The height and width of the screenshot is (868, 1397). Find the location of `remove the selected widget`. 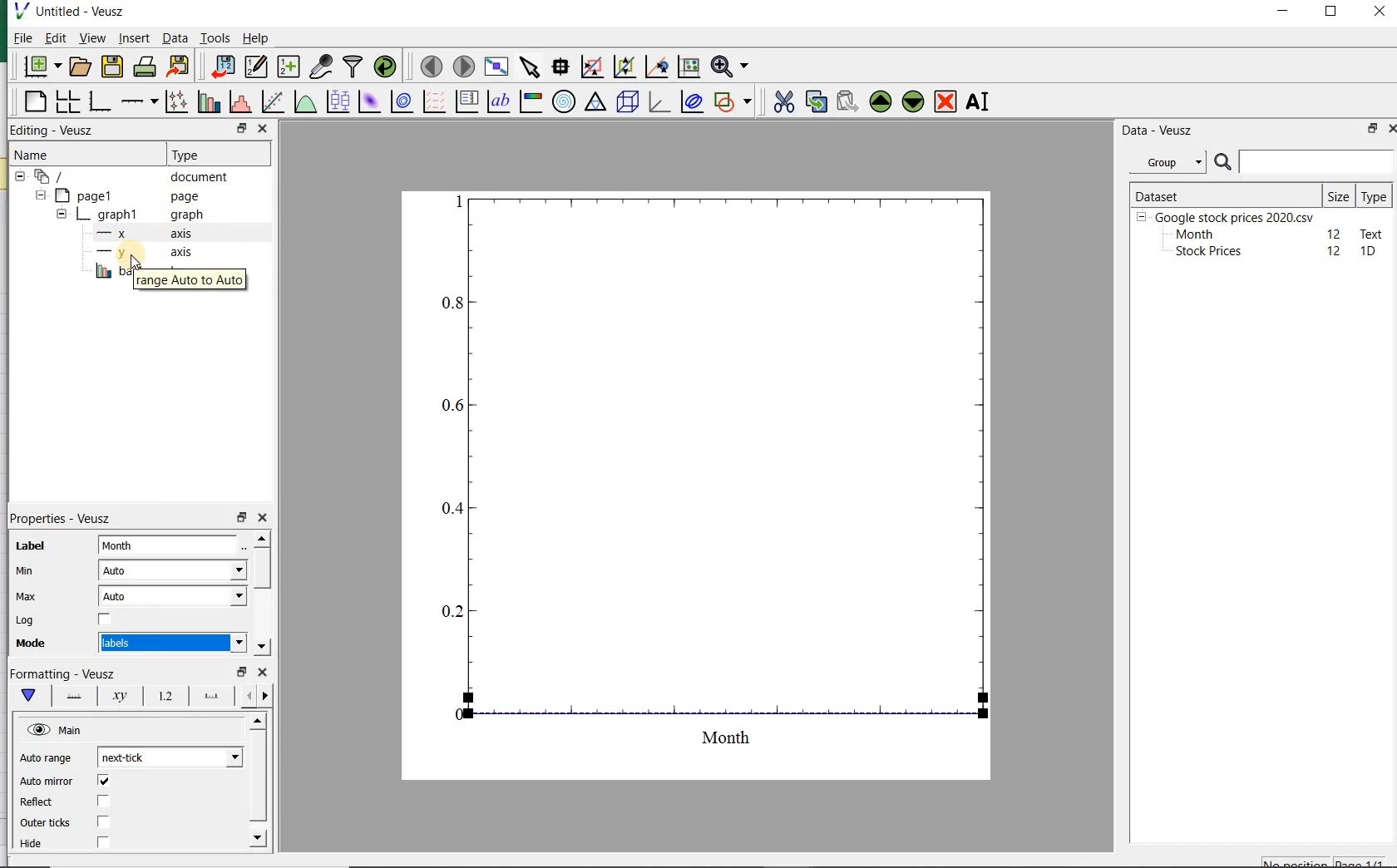

remove the selected widget is located at coordinates (946, 101).